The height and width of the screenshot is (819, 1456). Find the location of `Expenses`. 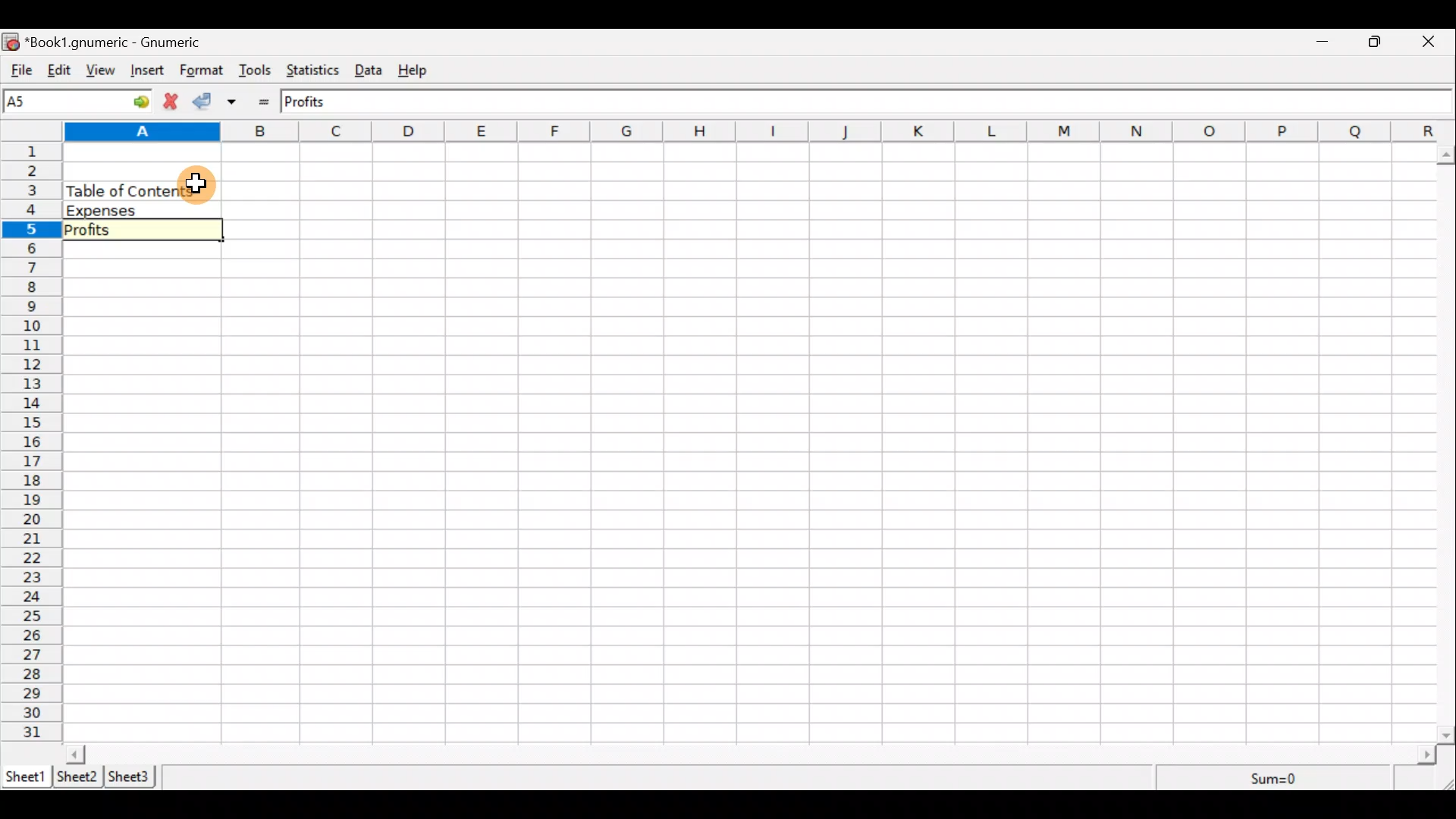

Expenses is located at coordinates (137, 211).